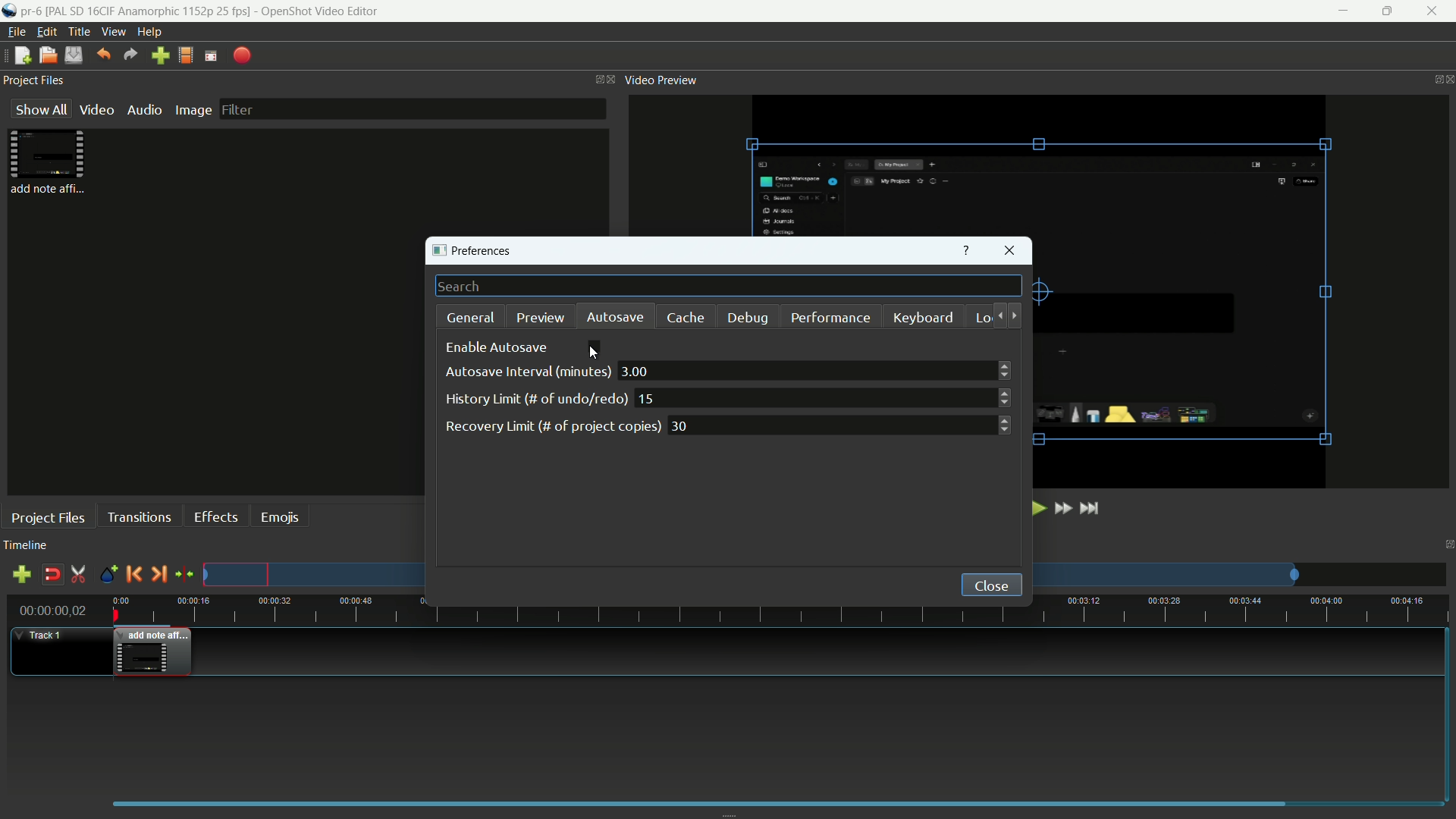  I want to click on edit menu, so click(47, 33).